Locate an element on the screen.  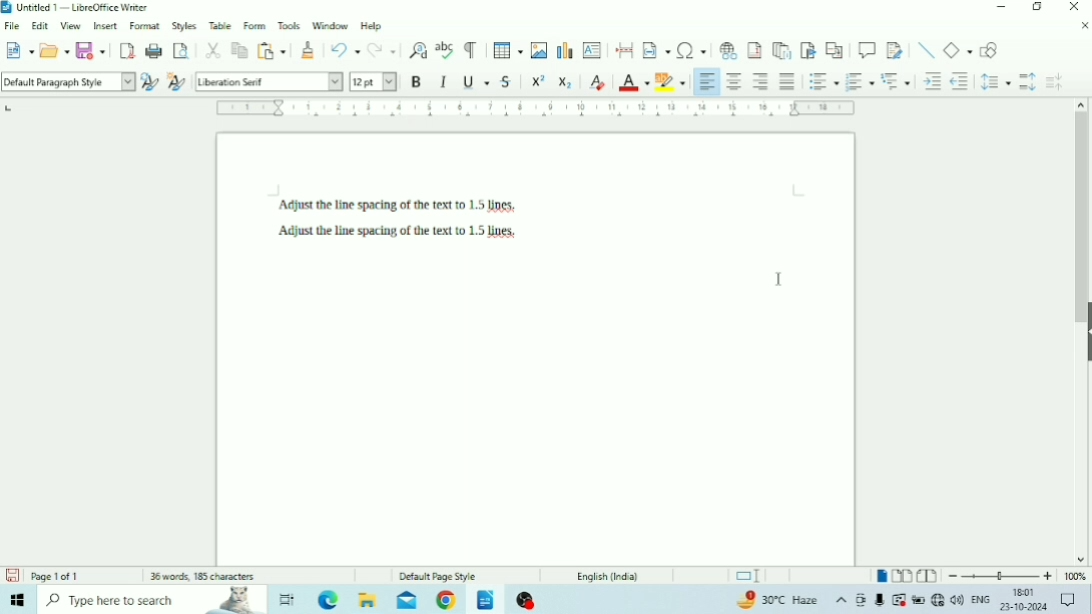
Clear Direct Formatting is located at coordinates (597, 82).